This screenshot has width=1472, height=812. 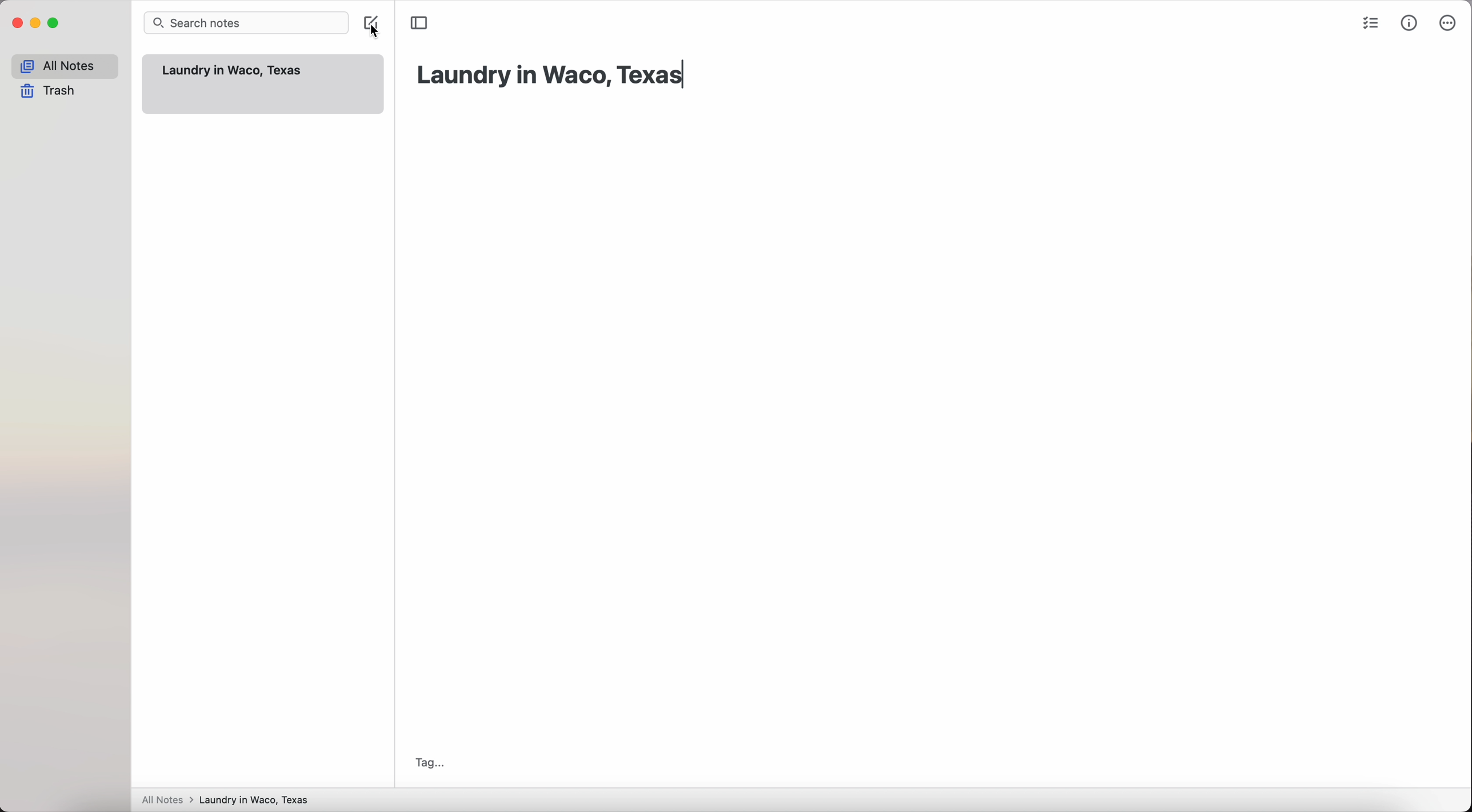 I want to click on maximize app, so click(x=54, y=23).